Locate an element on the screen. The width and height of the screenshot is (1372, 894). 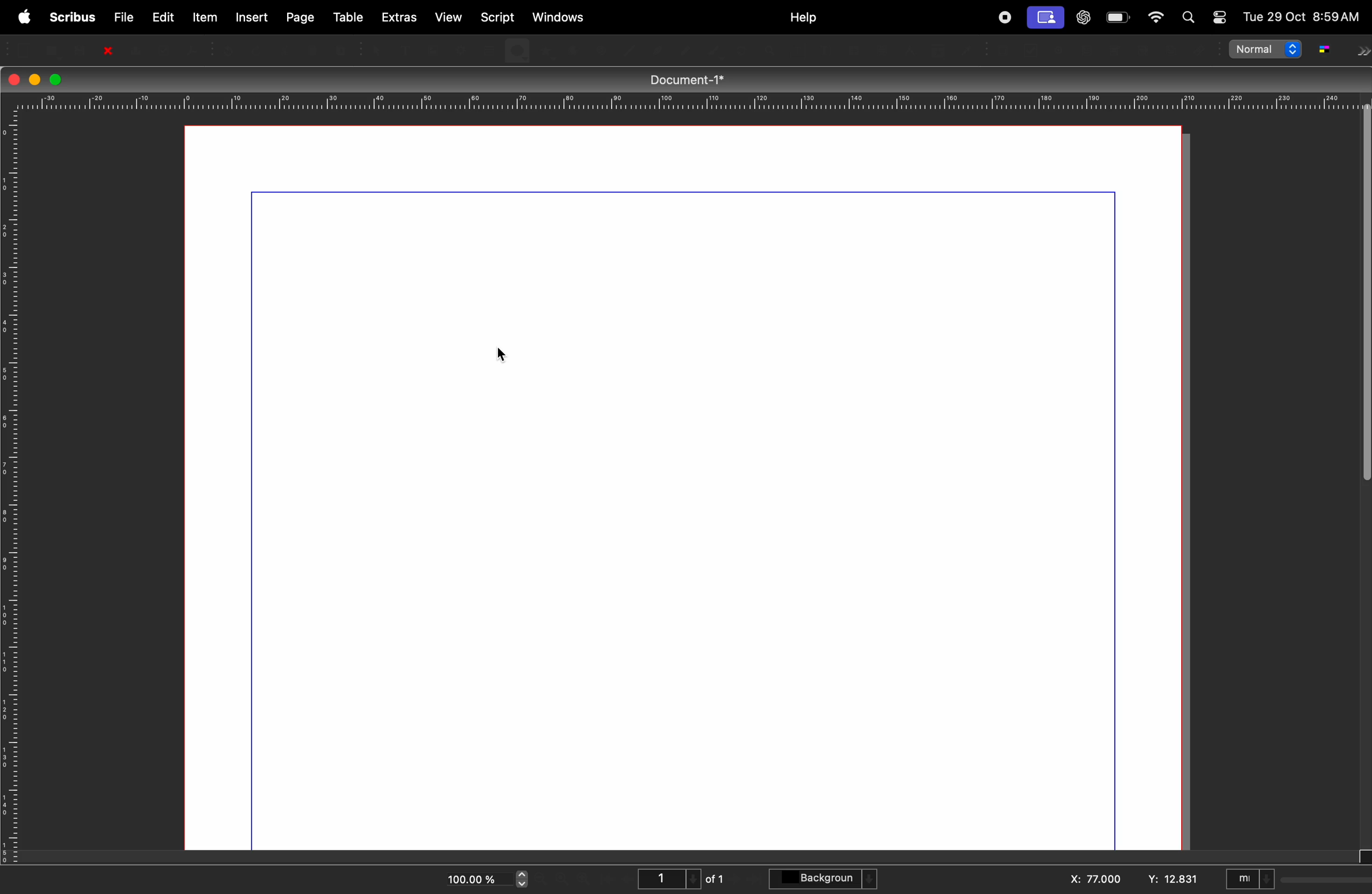
Bezier curve is located at coordinates (687, 50).